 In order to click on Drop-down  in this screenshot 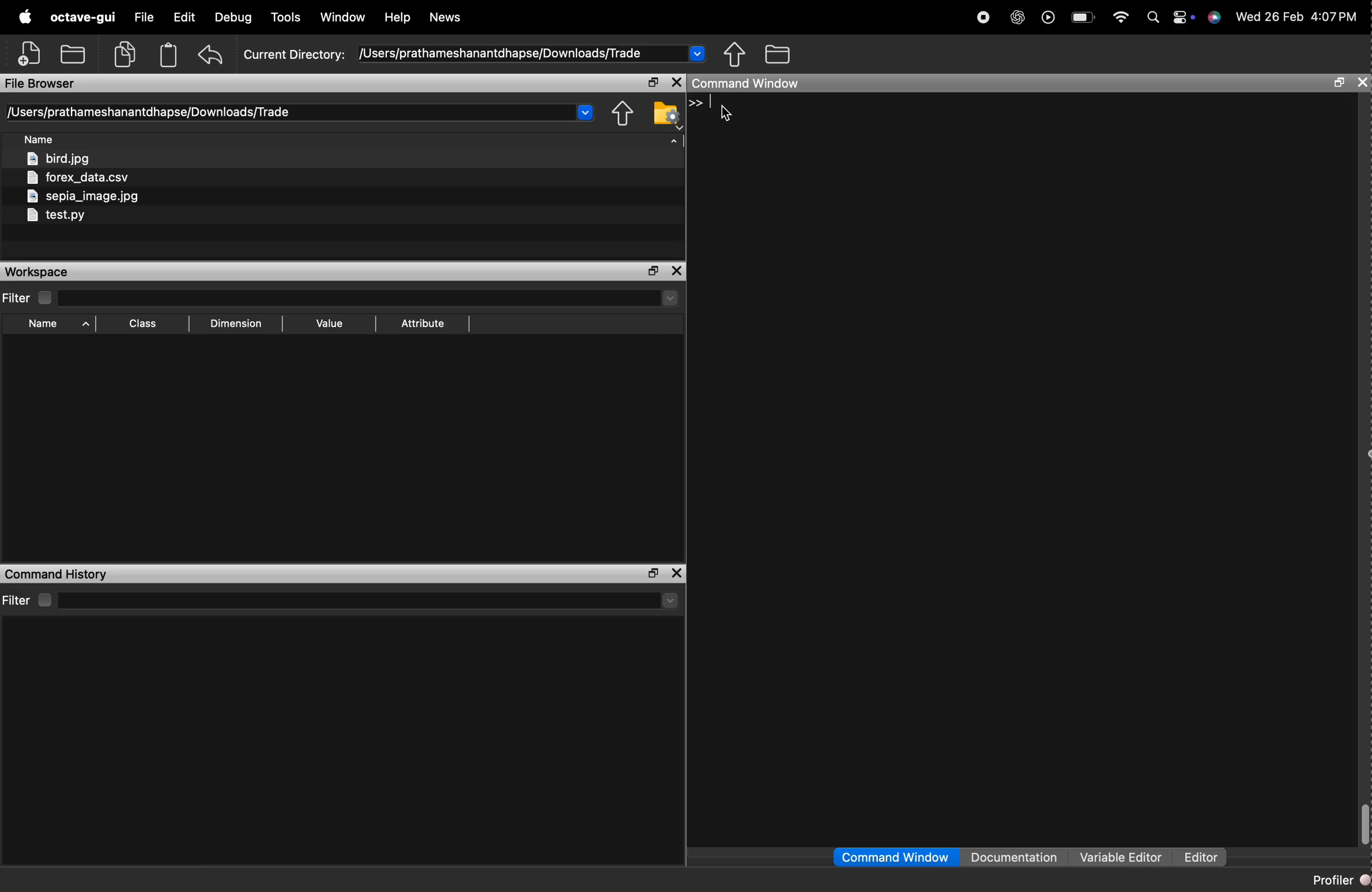, I will do `click(585, 112)`.